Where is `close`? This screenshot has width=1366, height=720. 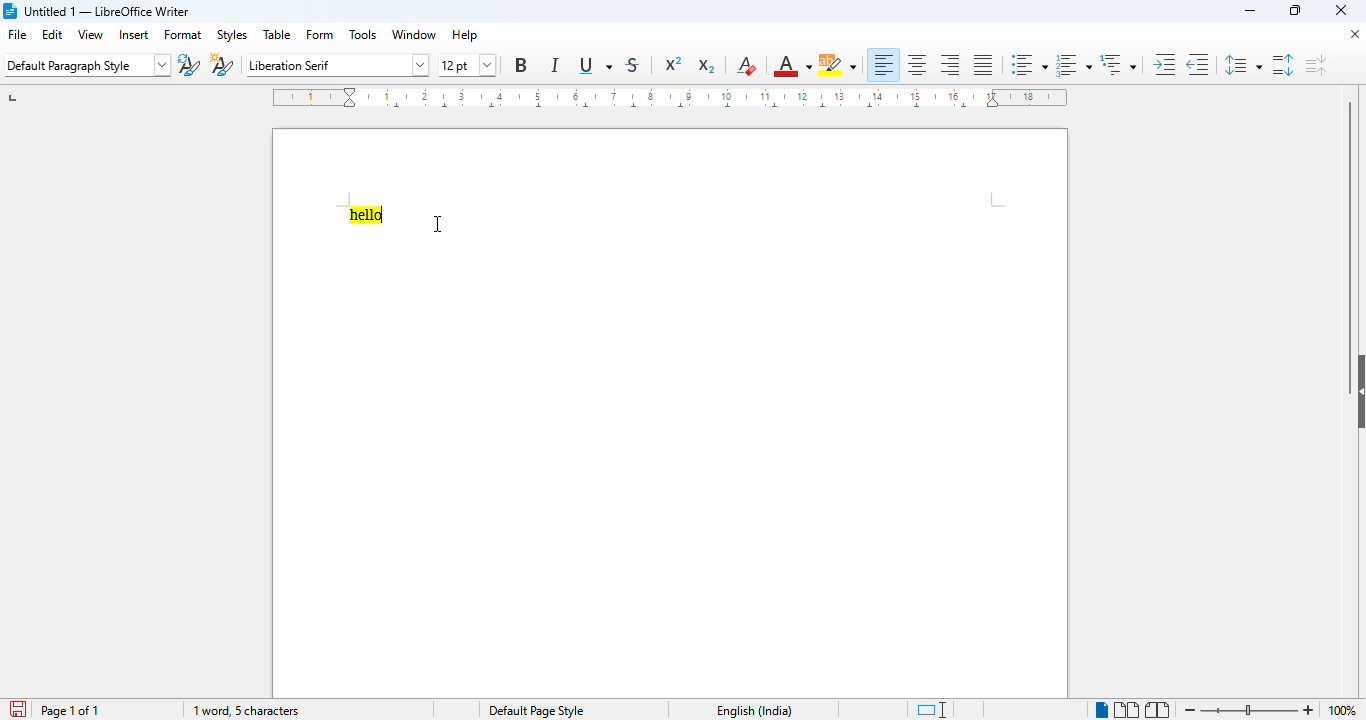 close is located at coordinates (1342, 9).